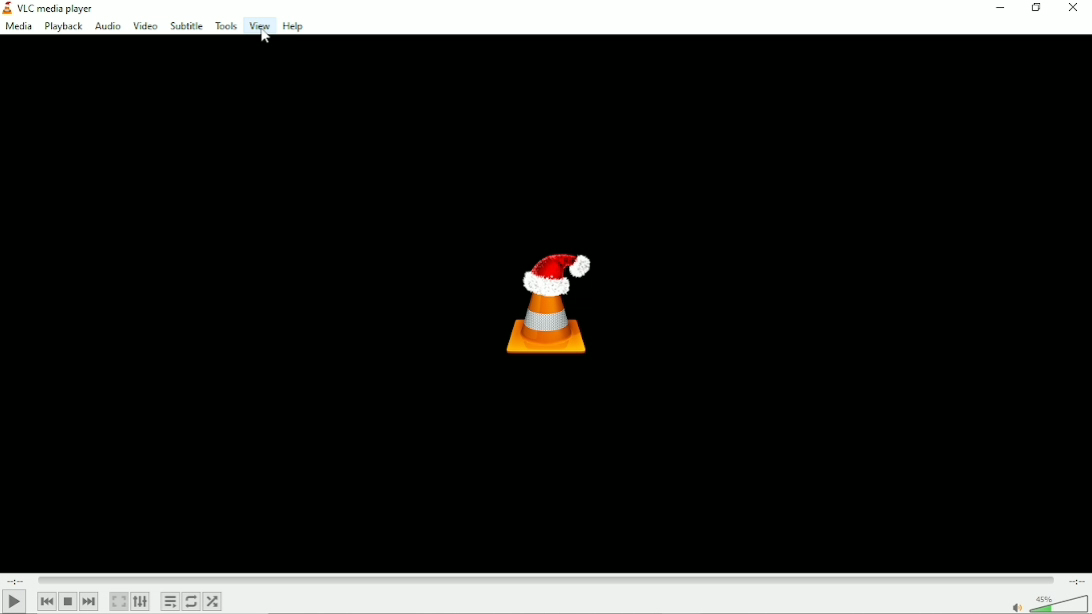 This screenshot has width=1092, height=614. Describe the element at coordinates (17, 580) in the screenshot. I see `Elapsed time` at that location.